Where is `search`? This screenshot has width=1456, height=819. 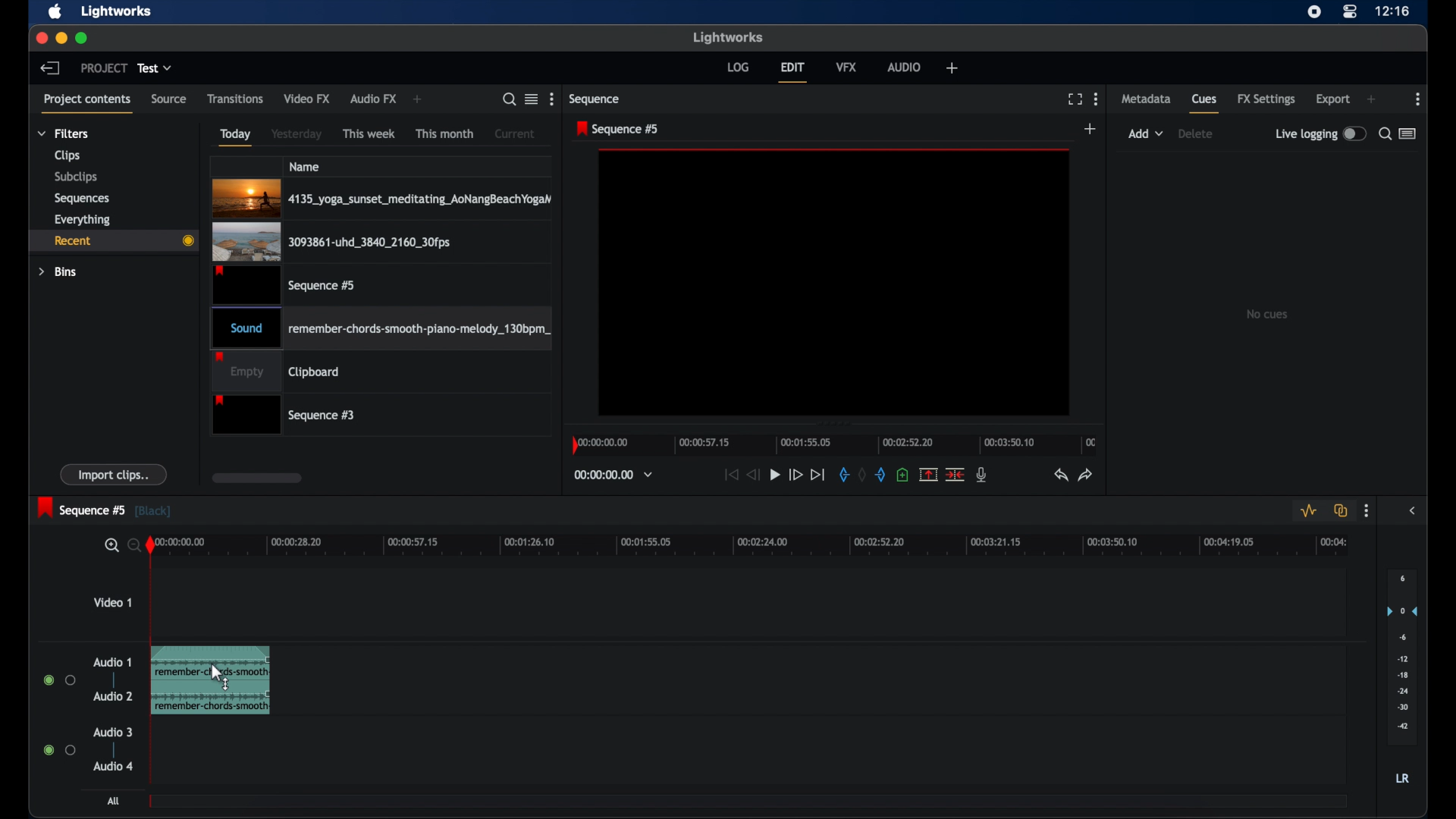
search is located at coordinates (120, 546).